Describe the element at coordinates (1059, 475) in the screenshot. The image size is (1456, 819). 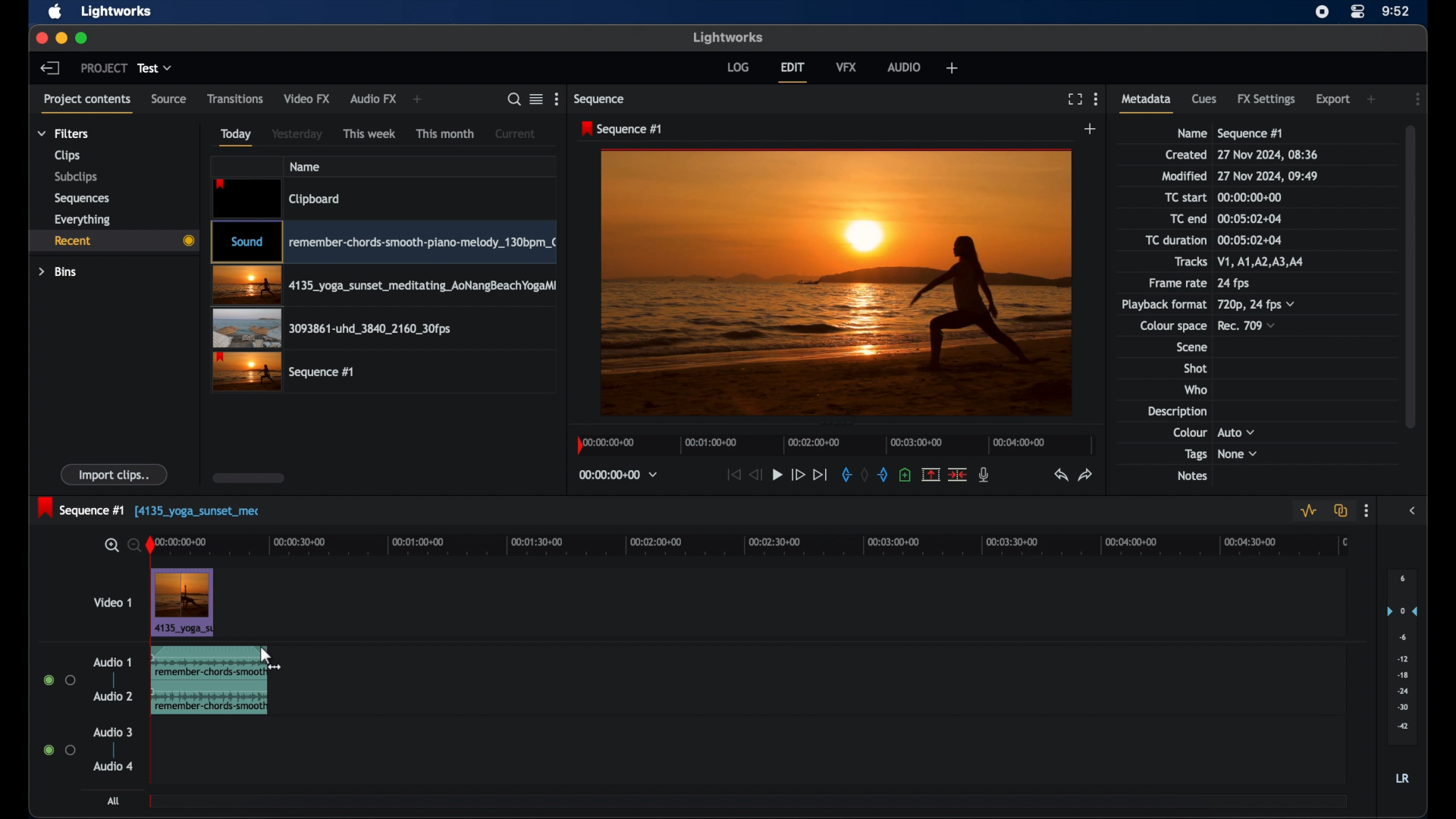
I see `undo` at that location.